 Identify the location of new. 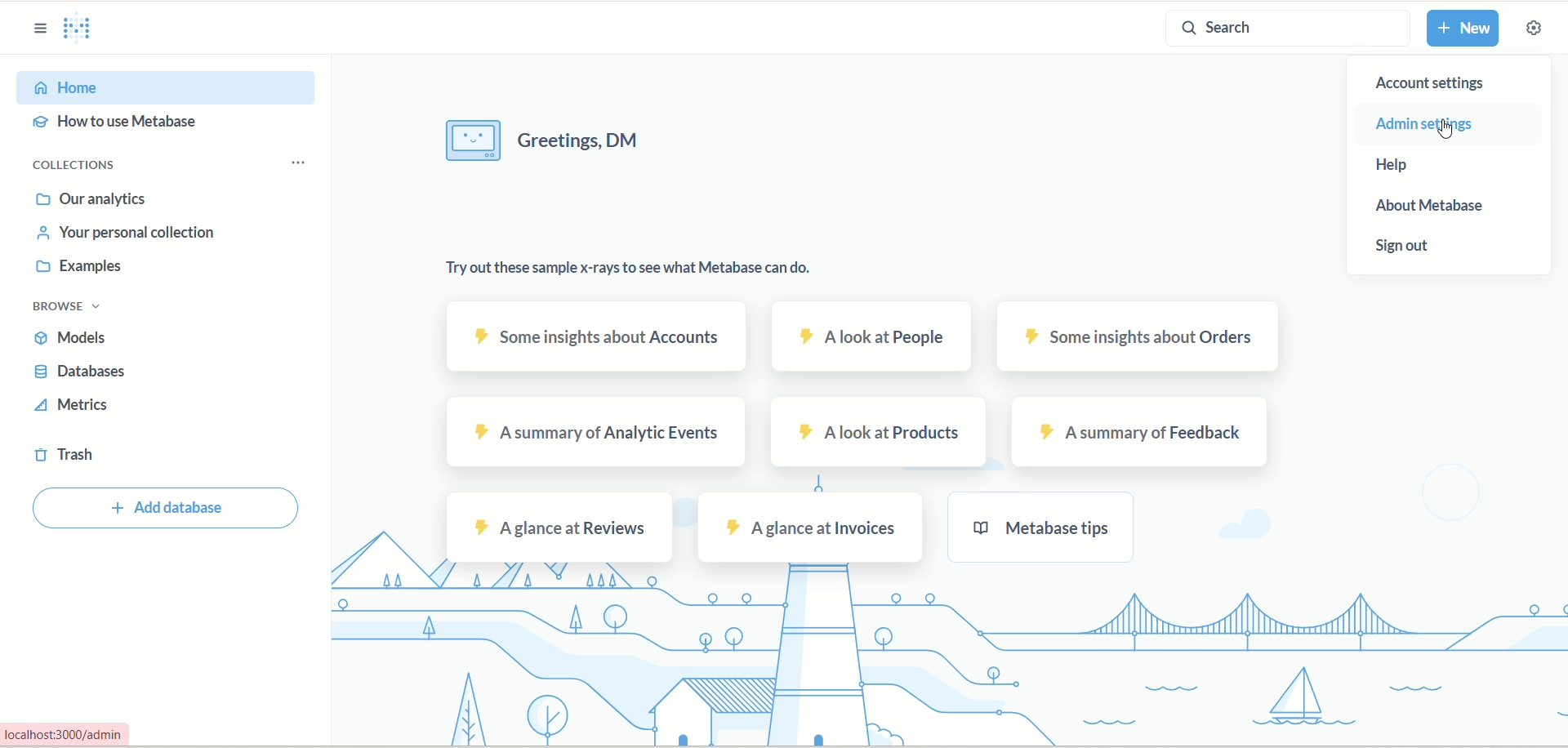
(1461, 29).